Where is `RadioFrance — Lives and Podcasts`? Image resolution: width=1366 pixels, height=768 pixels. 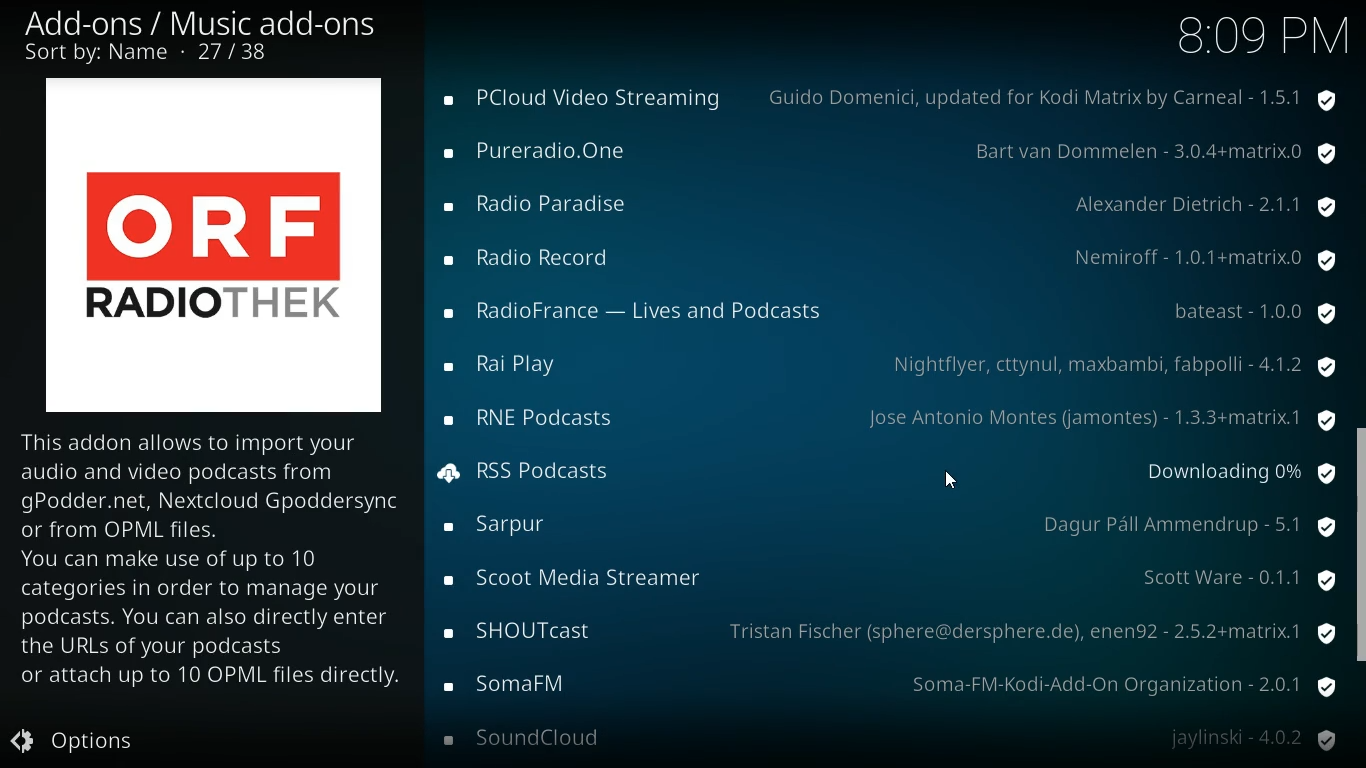 RadioFrance — Lives and Podcasts is located at coordinates (637, 313).